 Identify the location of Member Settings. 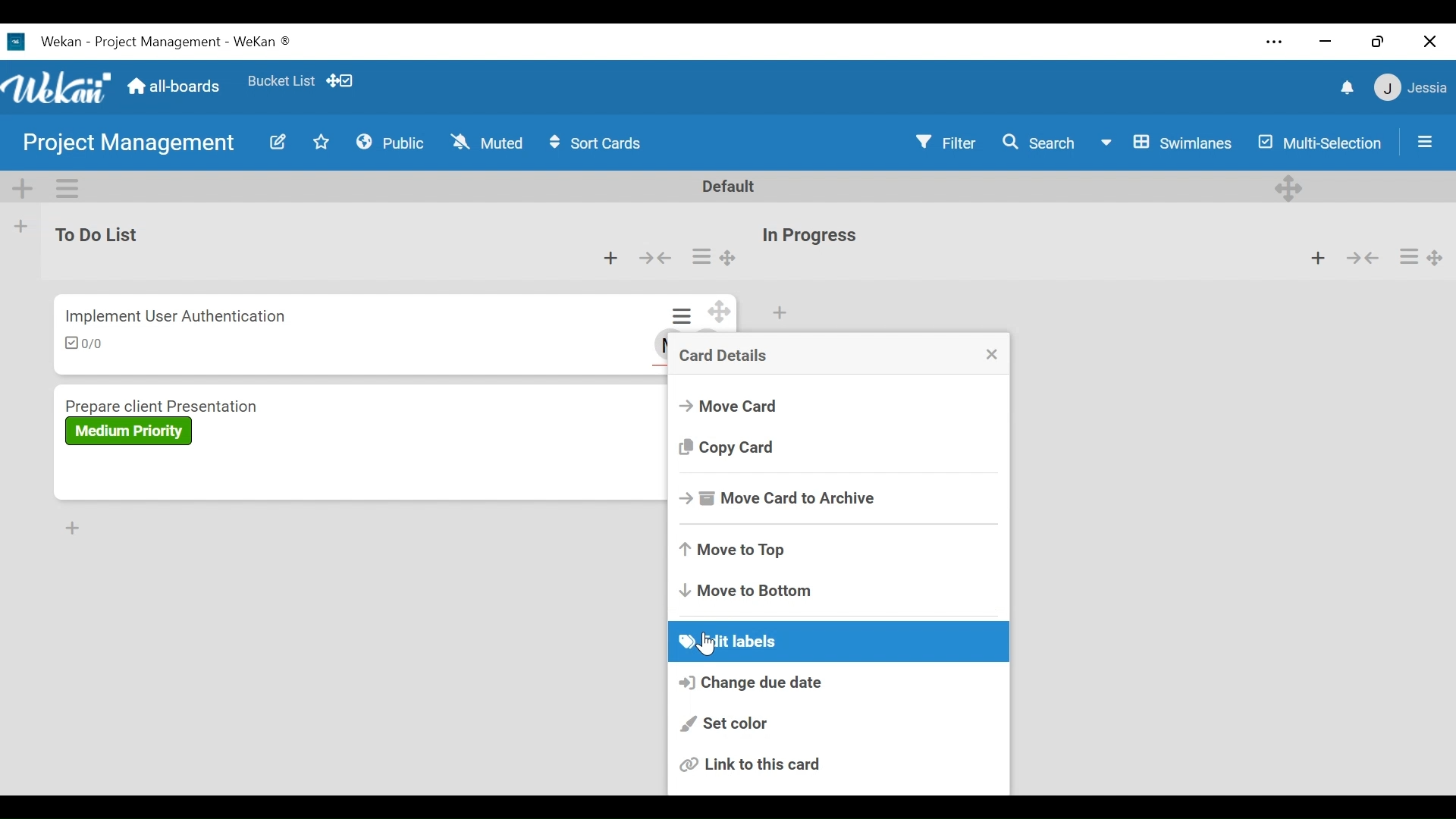
(1411, 87).